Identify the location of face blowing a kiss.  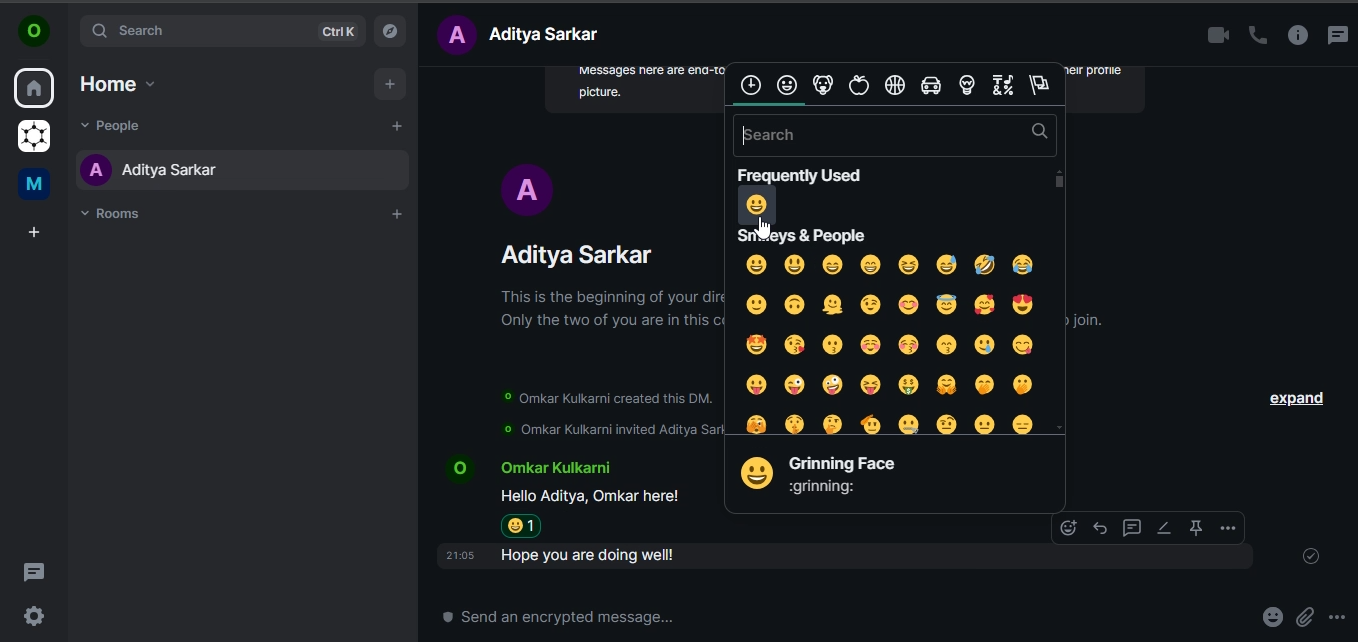
(794, 344).